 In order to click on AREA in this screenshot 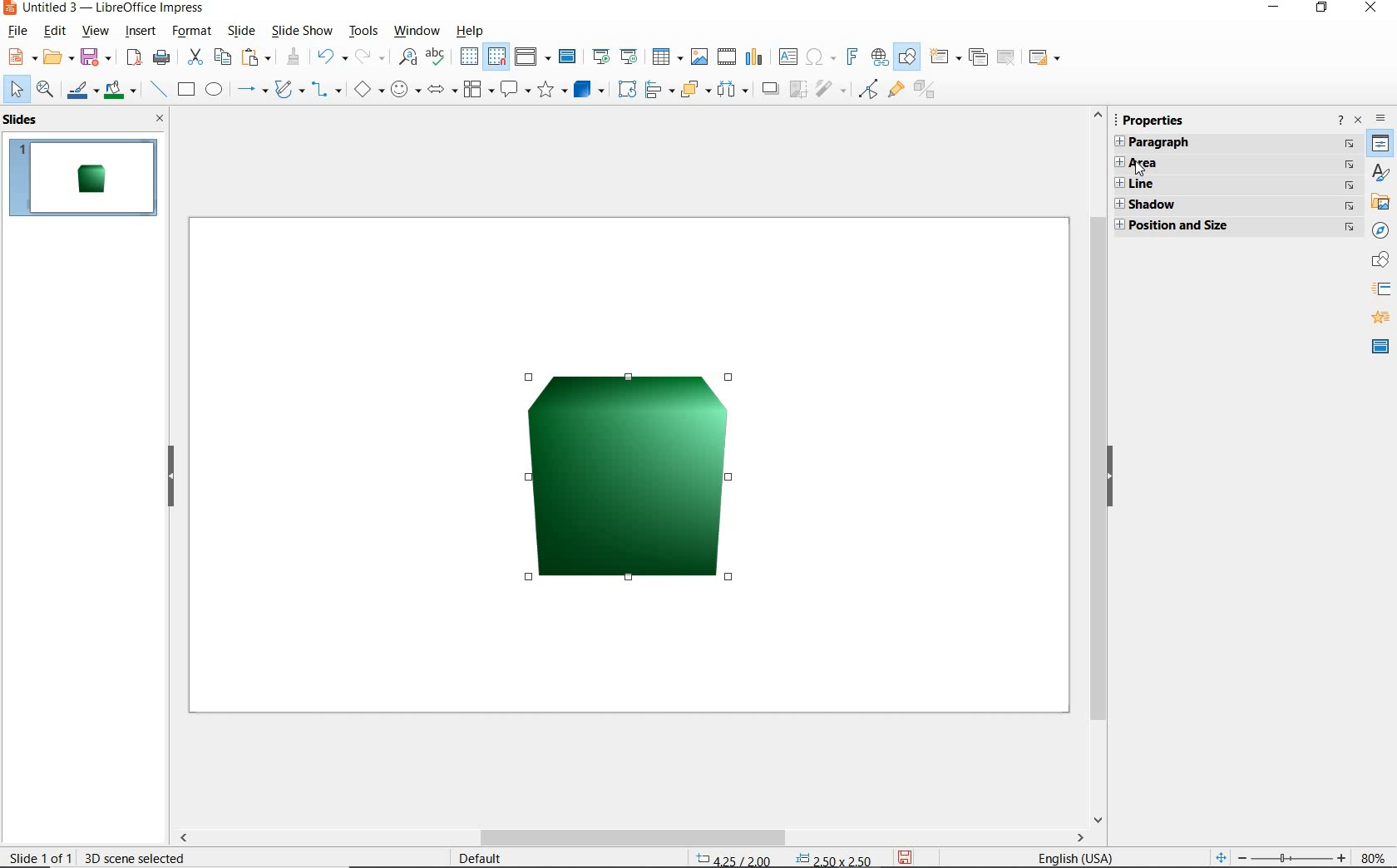, I will do `click(1237, 165)`.